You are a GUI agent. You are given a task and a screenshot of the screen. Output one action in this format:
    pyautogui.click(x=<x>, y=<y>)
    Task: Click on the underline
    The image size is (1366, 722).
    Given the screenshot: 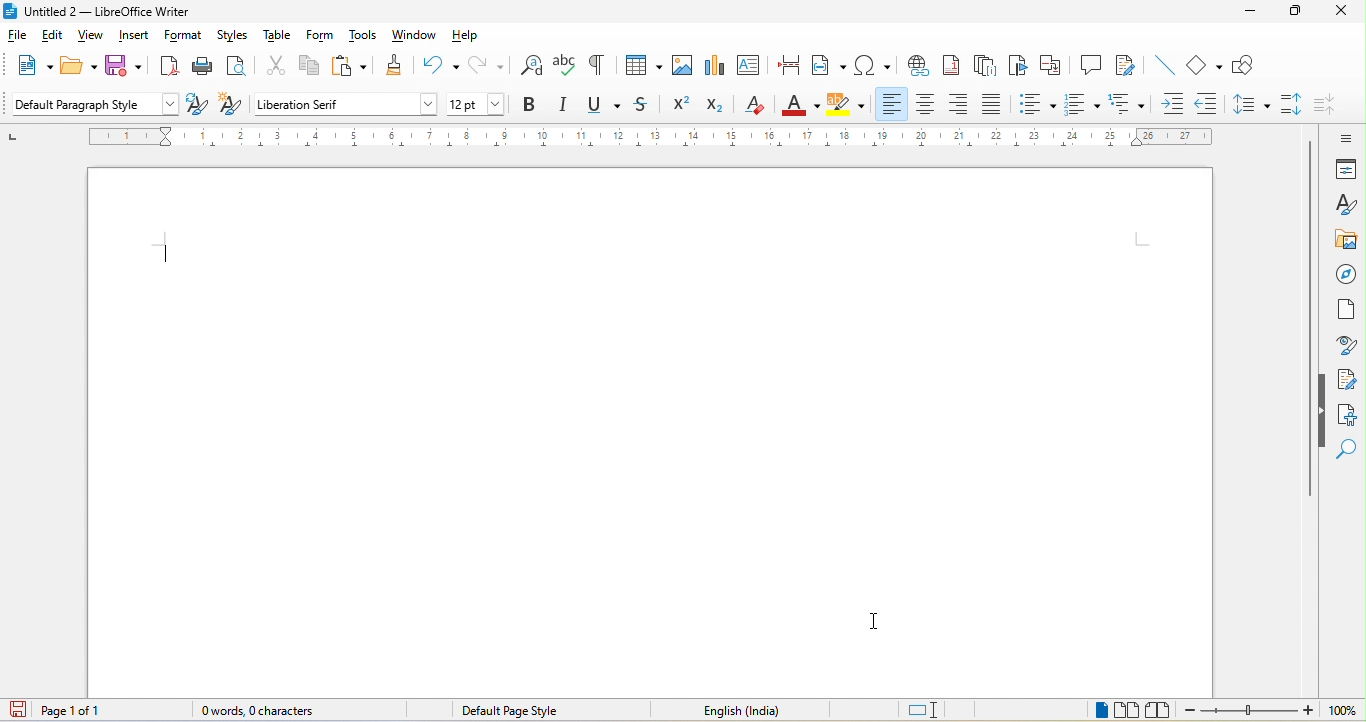 What is the action you would take?
    pyautogui.click(x=605, y=107)
    